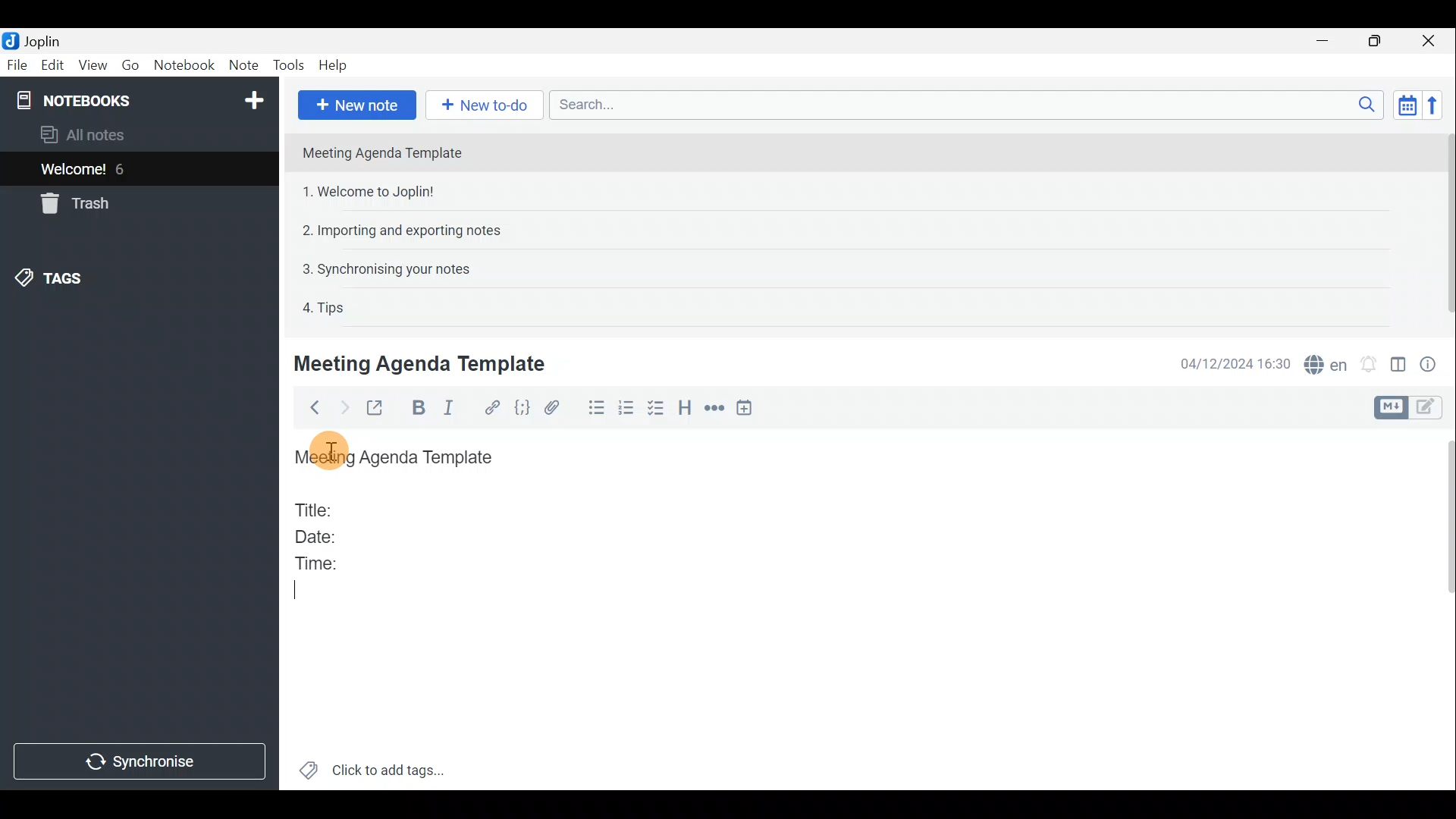 Image resolution: width=1456 pixels, height=819 pixels. What do you see at coordinates (386, 268) in the screenshot?
I see `3. Synchronising your notes` at bounding box center [386, 268].